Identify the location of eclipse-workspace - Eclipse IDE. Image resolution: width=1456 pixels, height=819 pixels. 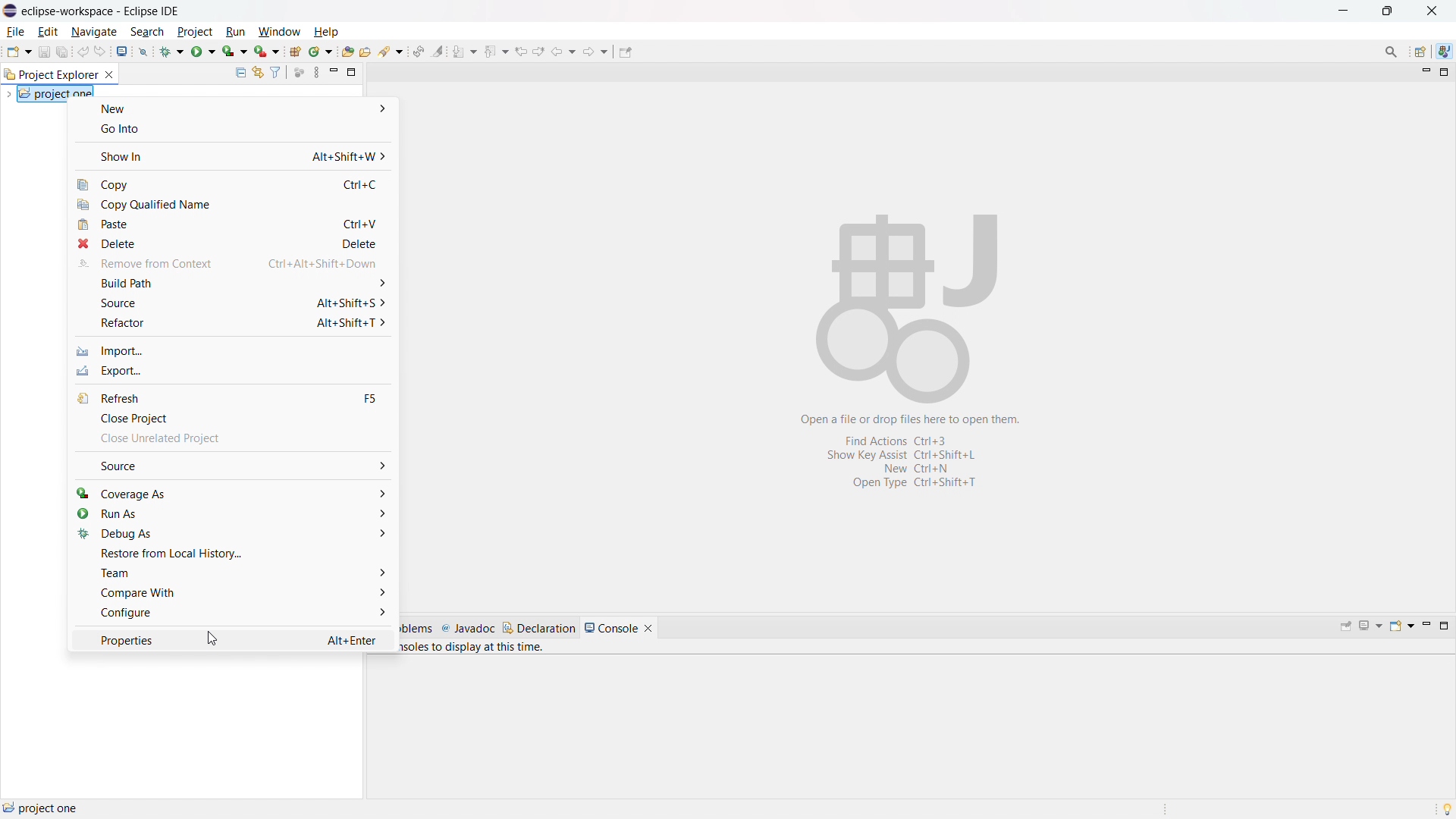
(101, 11).